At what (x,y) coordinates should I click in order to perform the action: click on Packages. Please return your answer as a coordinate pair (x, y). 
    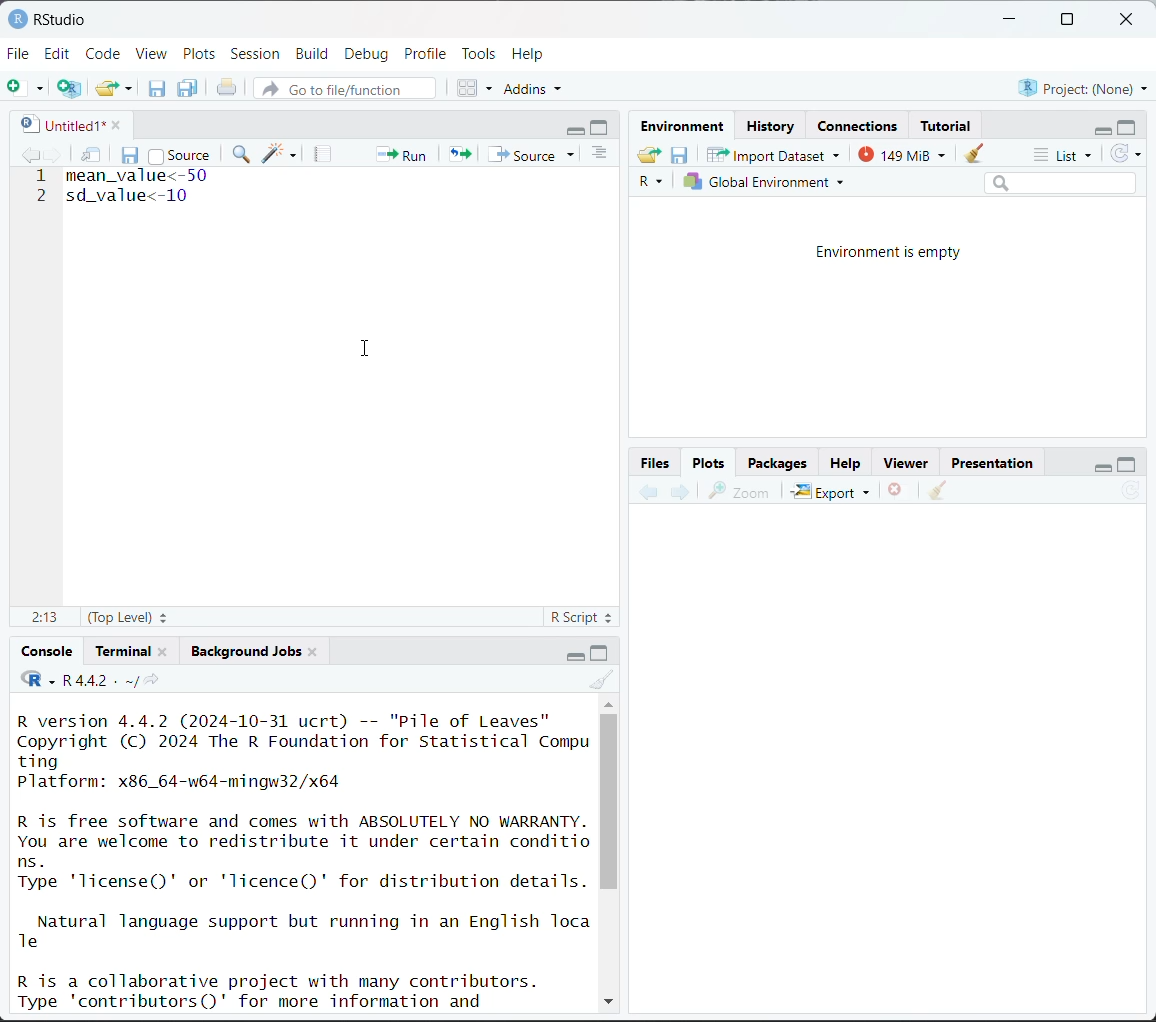
    Looking at the image, I should click on (777, 462).